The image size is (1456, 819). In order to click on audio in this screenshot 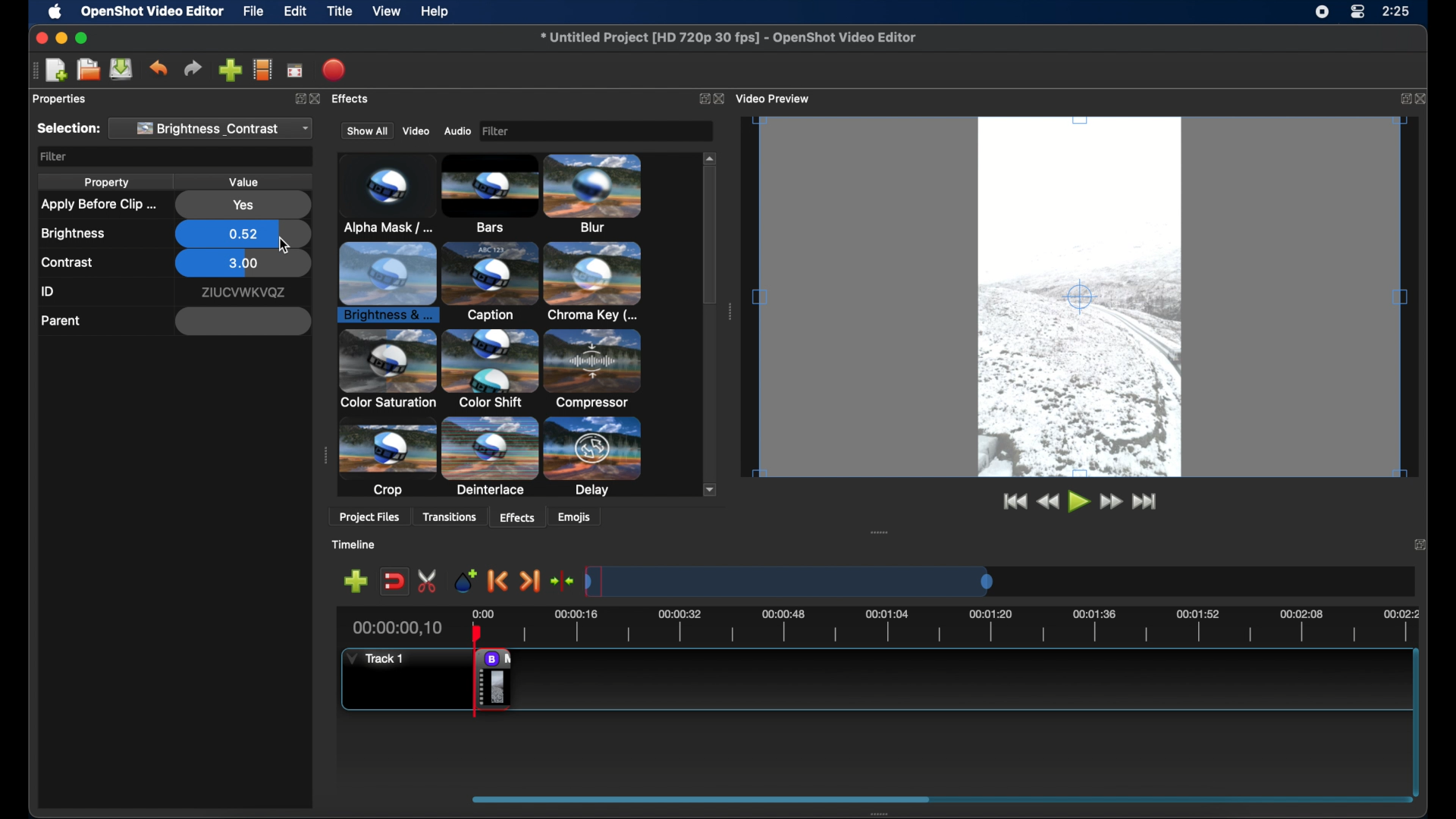, I will do `click(458, 130)`.